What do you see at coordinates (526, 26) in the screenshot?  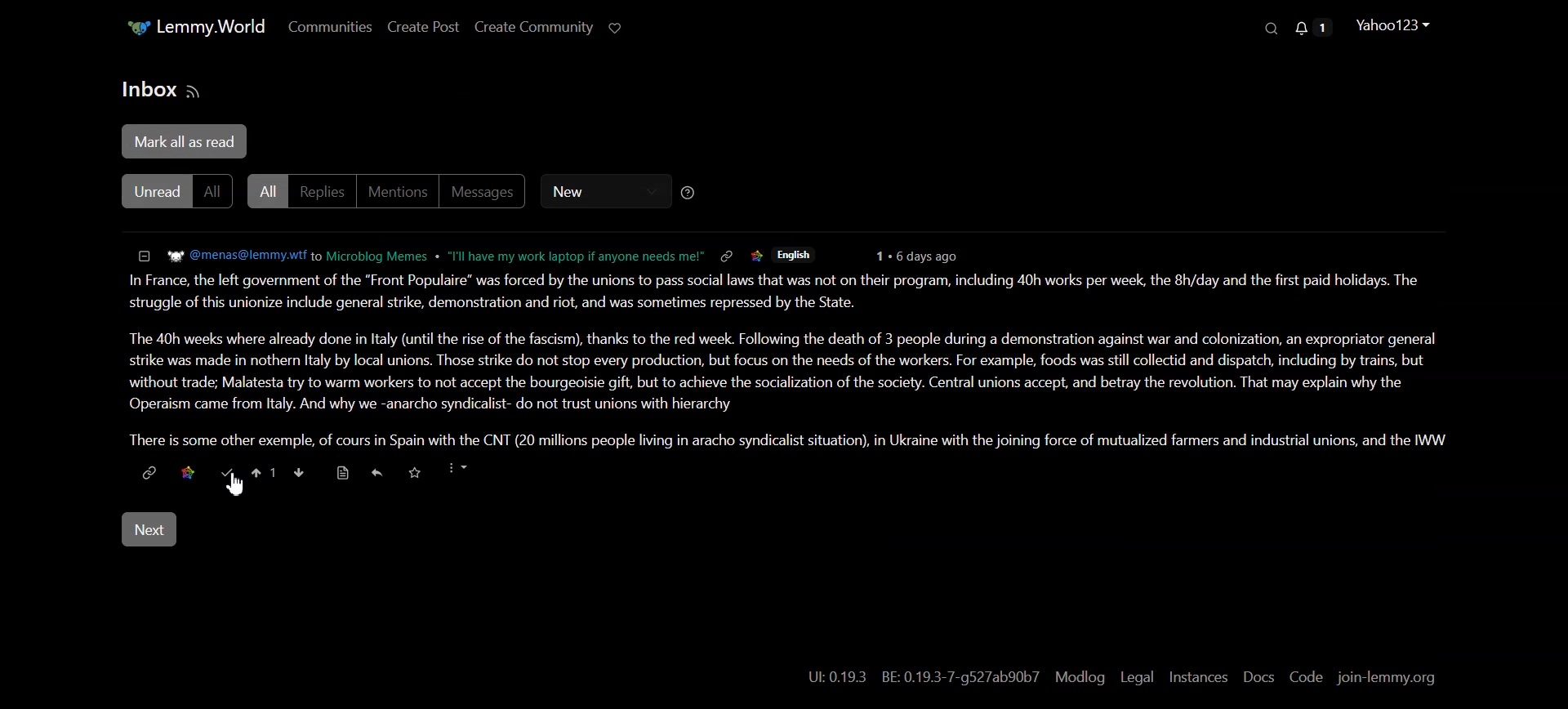 I see `Create Community ` at bounding box center [526, 26].